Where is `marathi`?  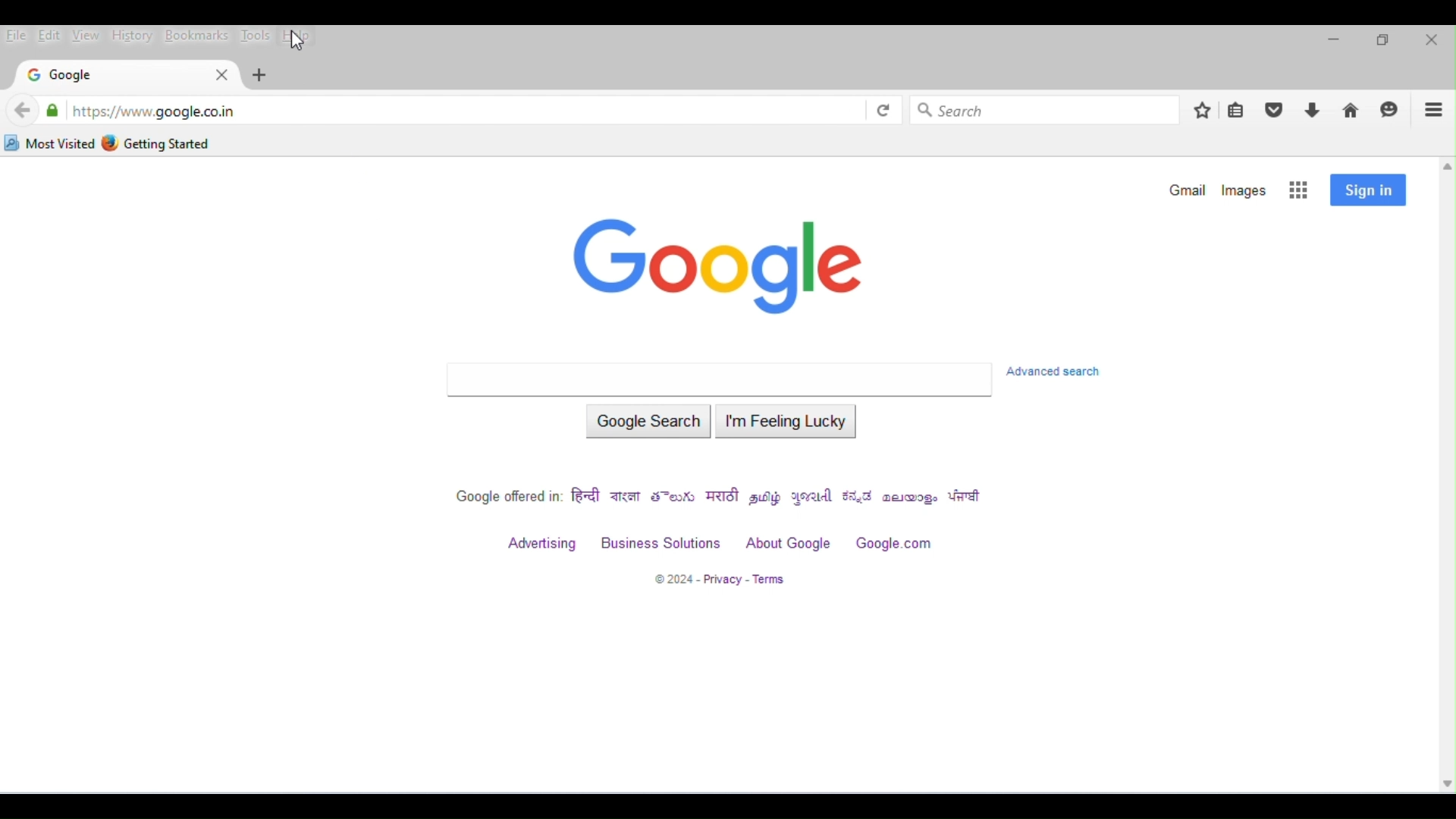
marathi is located at coordinates (724, 497).